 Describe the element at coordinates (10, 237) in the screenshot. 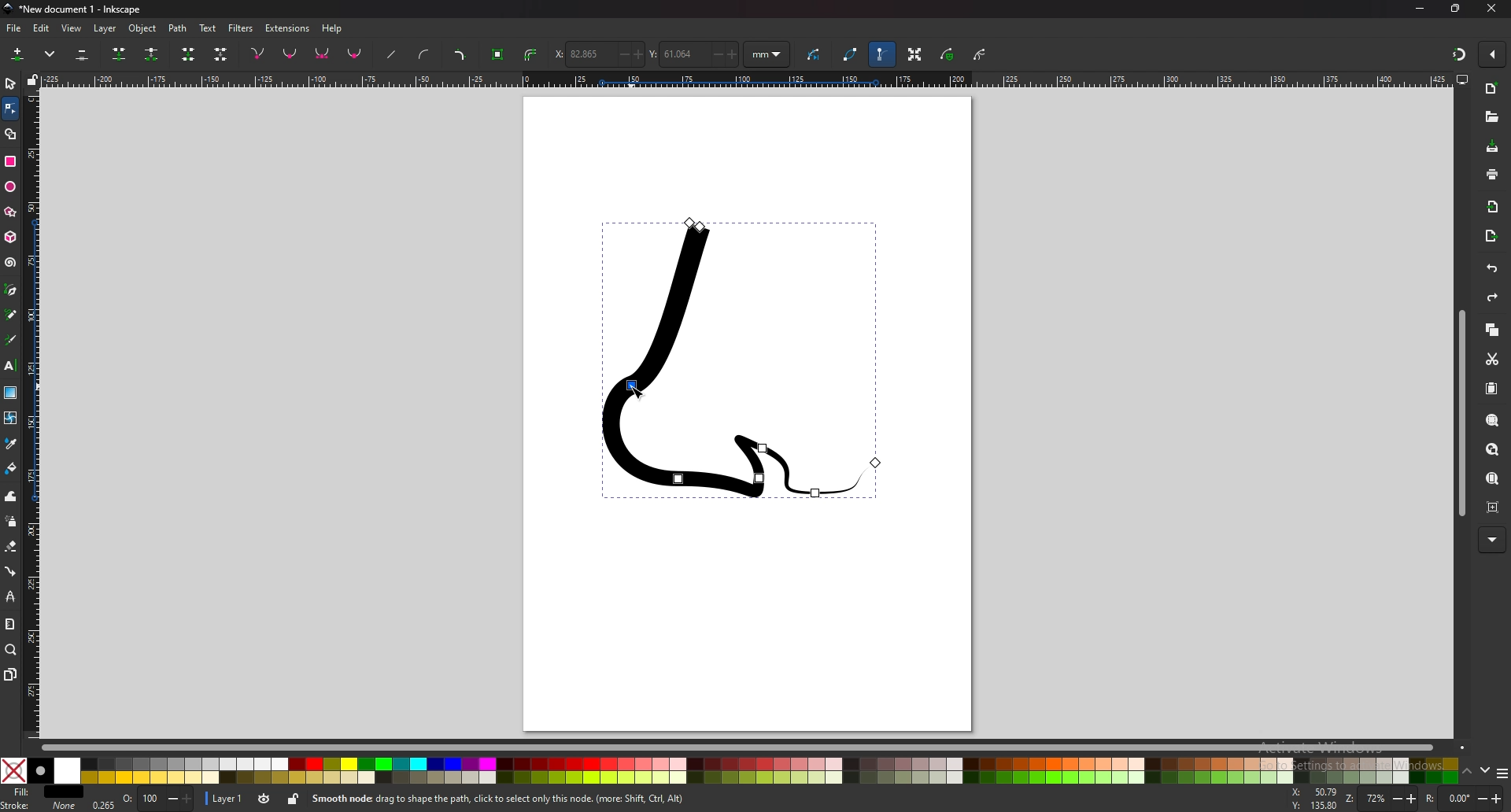

I see `3d box` at that location.